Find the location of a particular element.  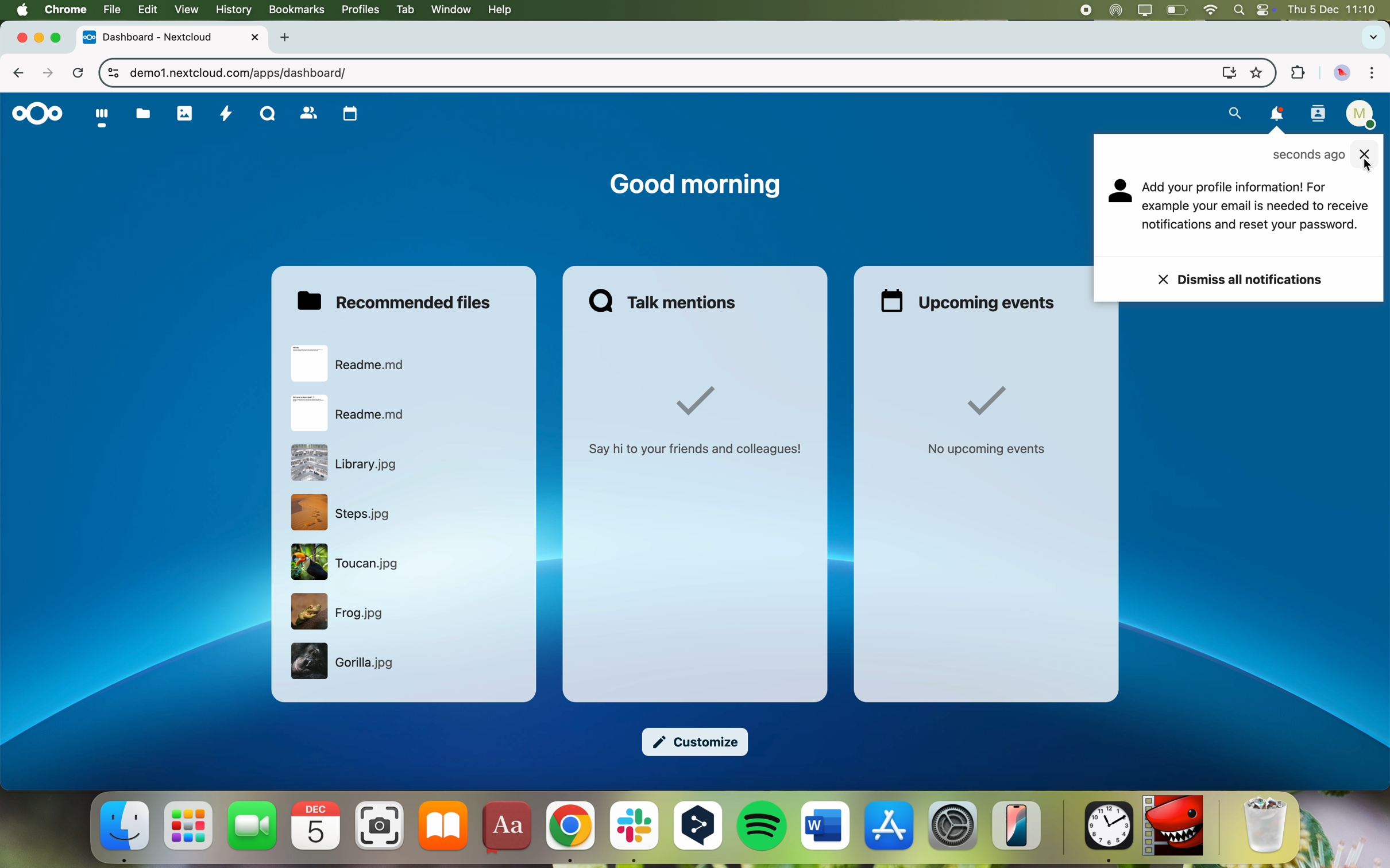

contacts is located at coordinates (308, 114).